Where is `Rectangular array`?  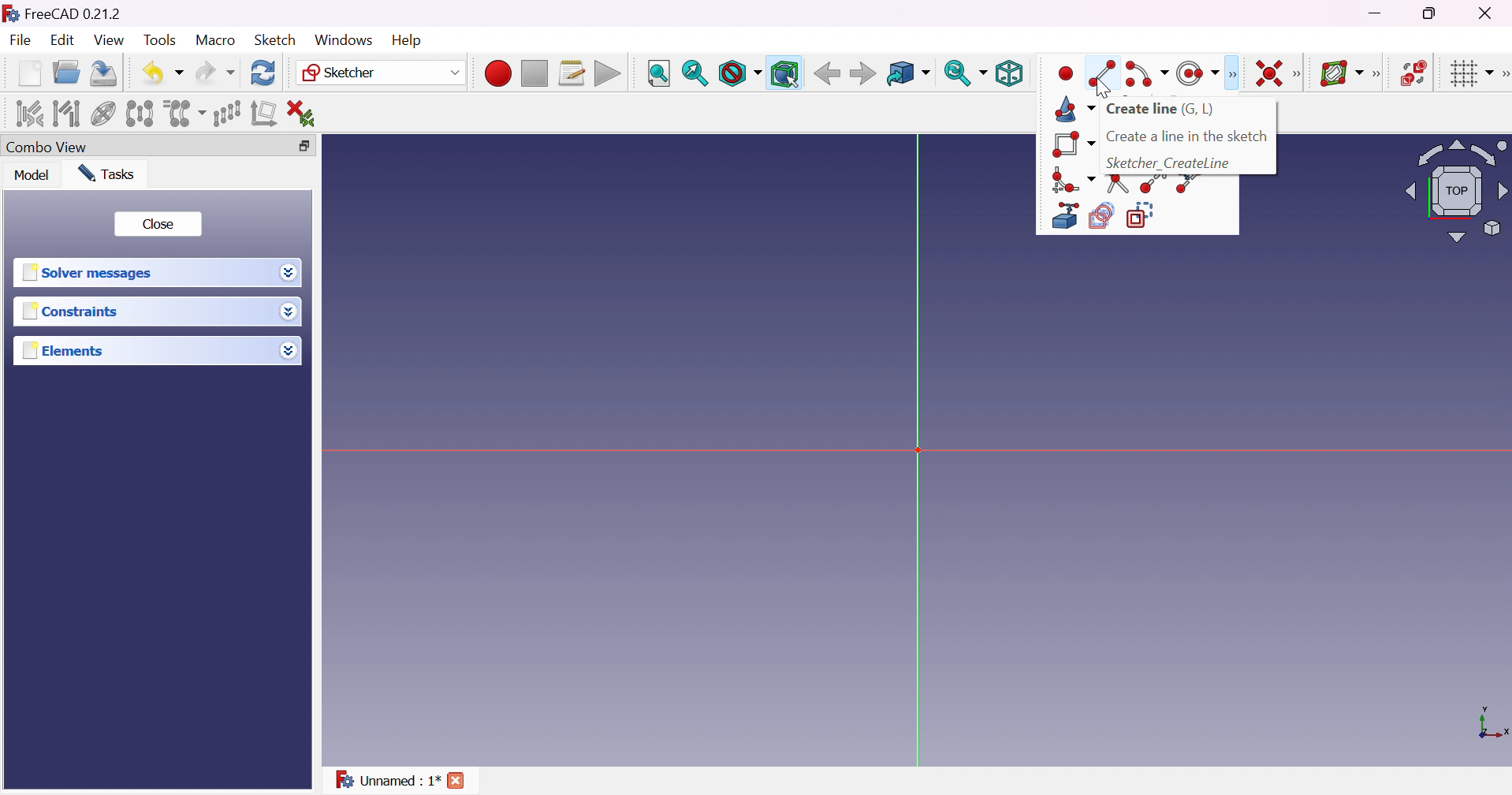 Rectangular array is located at coordinates (225, 113).